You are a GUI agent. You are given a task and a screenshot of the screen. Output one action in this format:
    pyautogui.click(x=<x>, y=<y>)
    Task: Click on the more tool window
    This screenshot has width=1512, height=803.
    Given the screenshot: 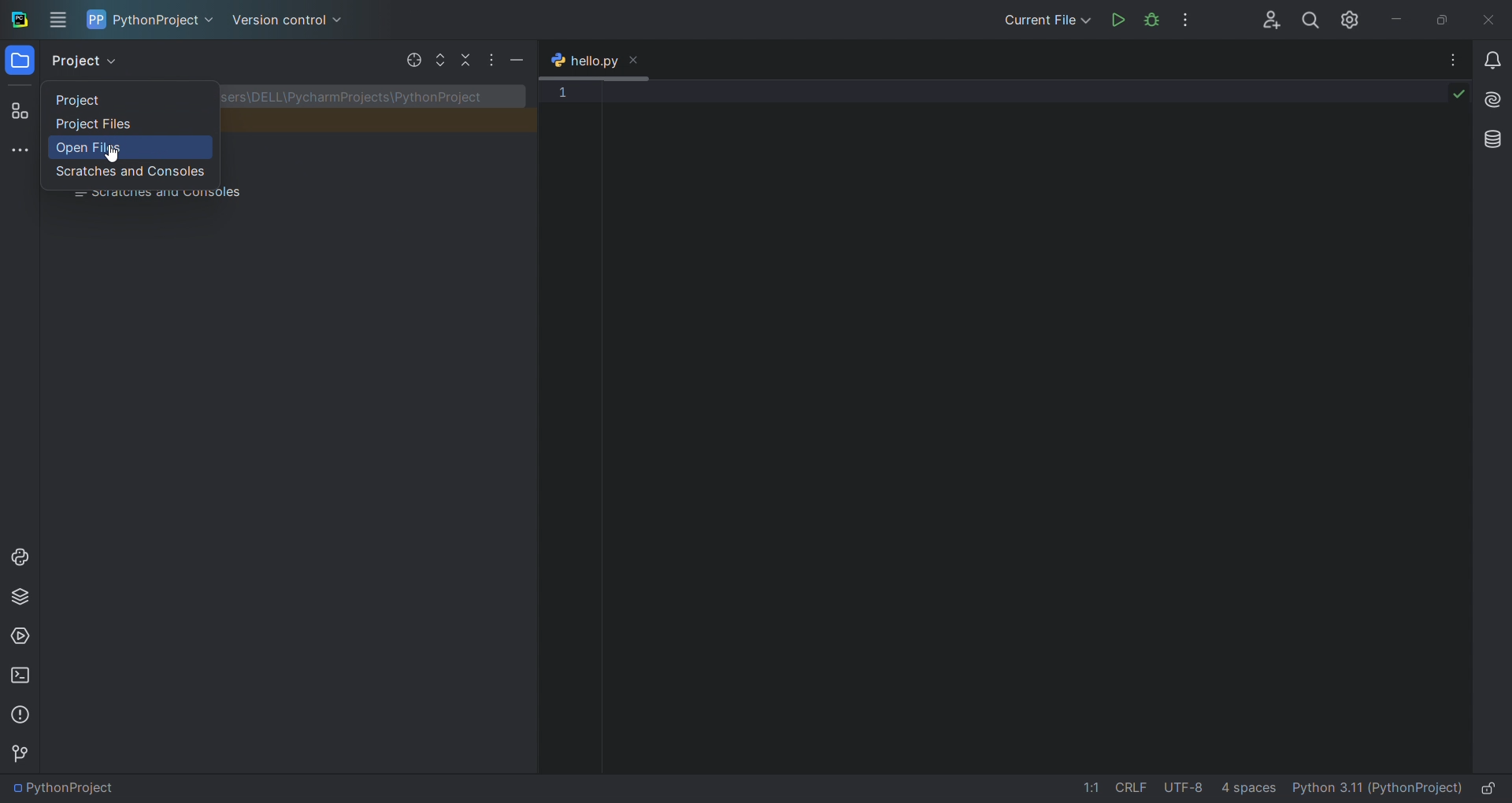 What is the action you would take?
    pyautogui.click(x=20, y=149)
    